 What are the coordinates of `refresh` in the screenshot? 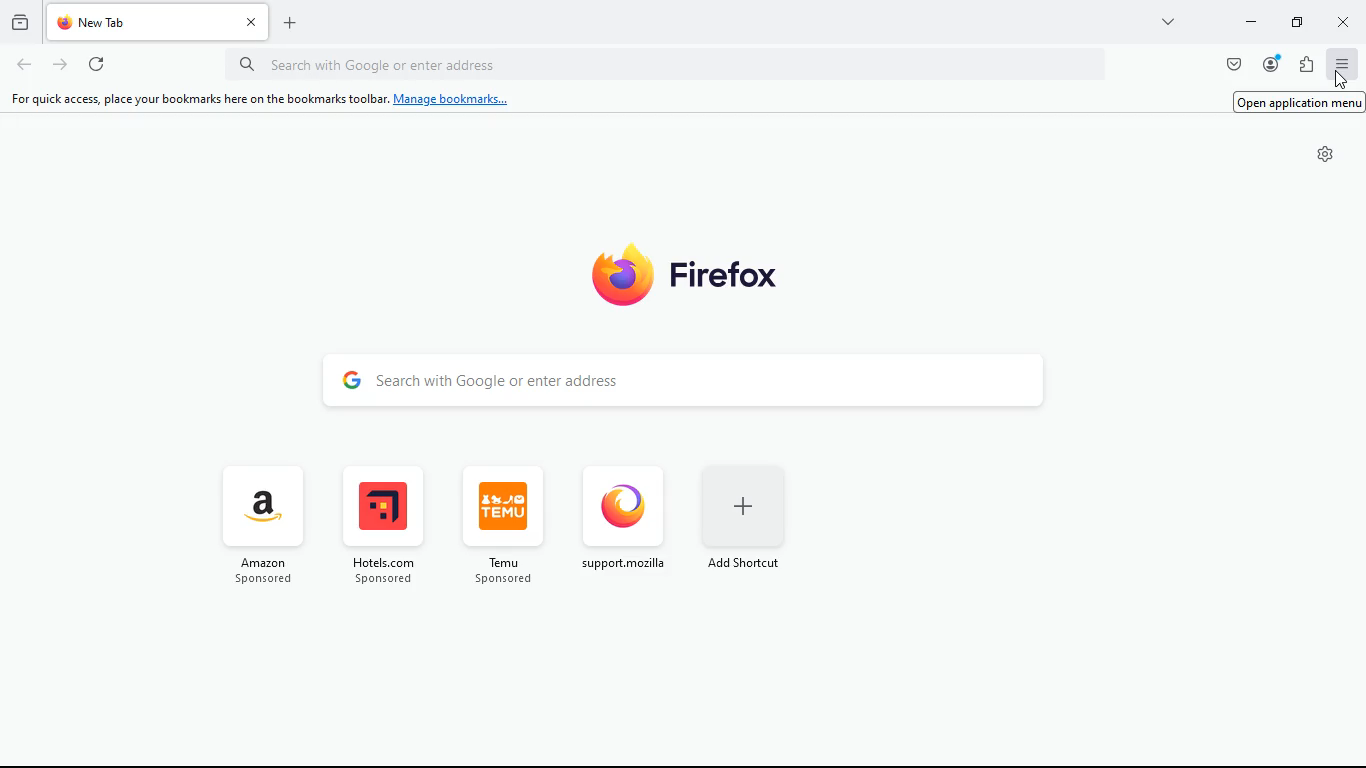 It's located at (92, 64).